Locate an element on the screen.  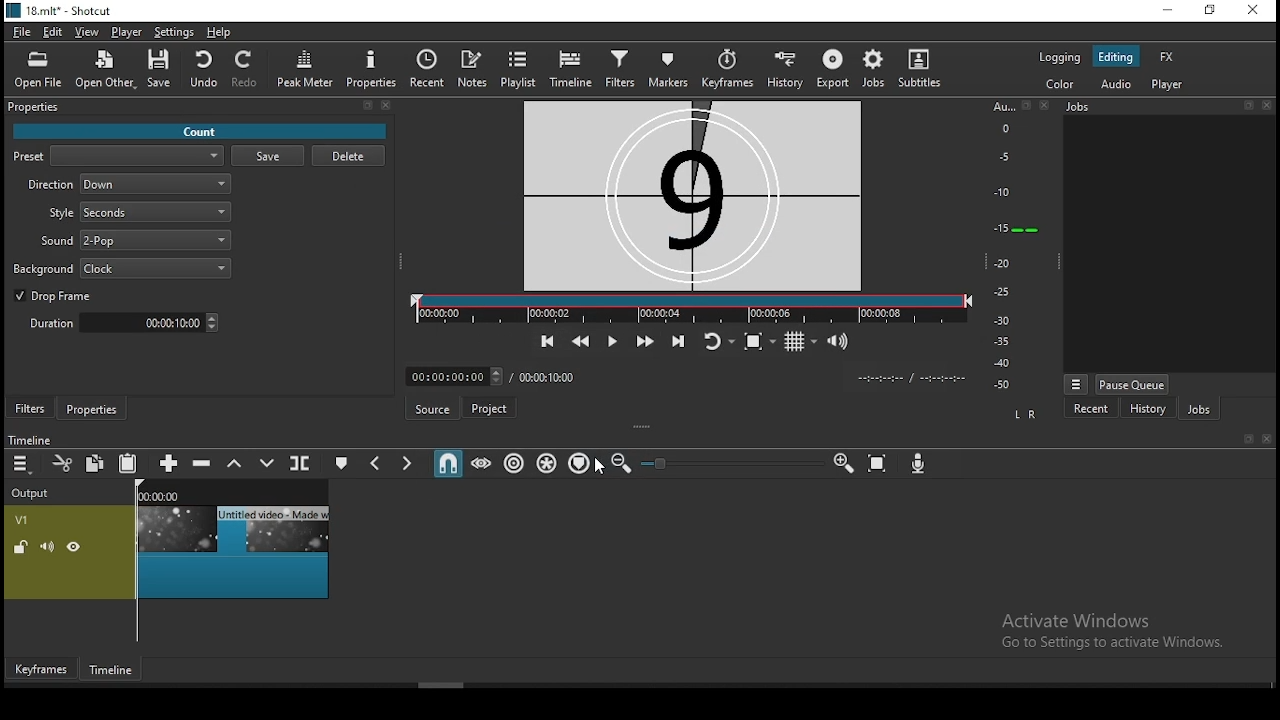
18.mit* - Shotcut is located at coordinates (58, 10).